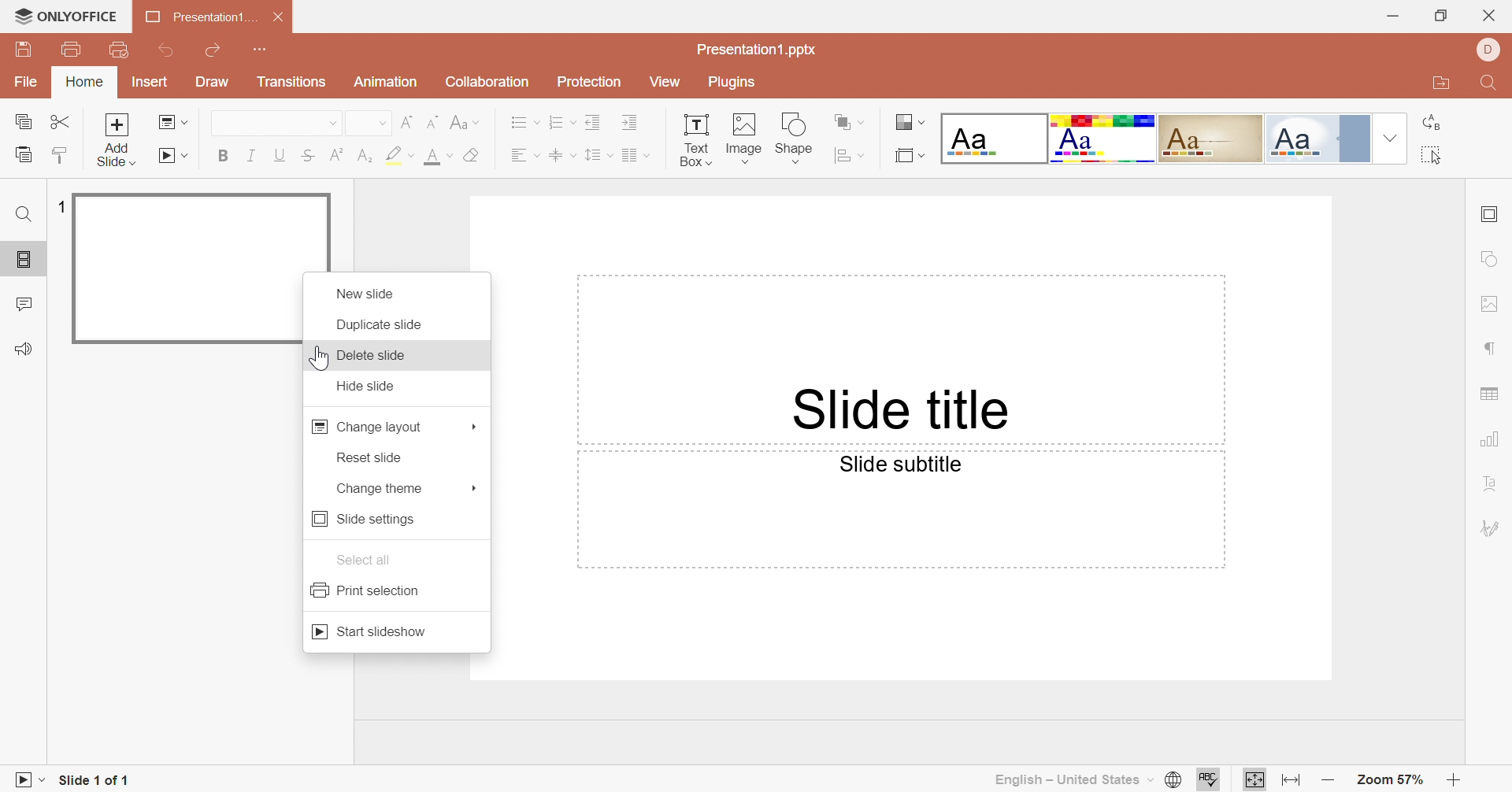 The height and width of the screenshot is (792, 1512). I want to click on Chart settings, so click(1492, 439).